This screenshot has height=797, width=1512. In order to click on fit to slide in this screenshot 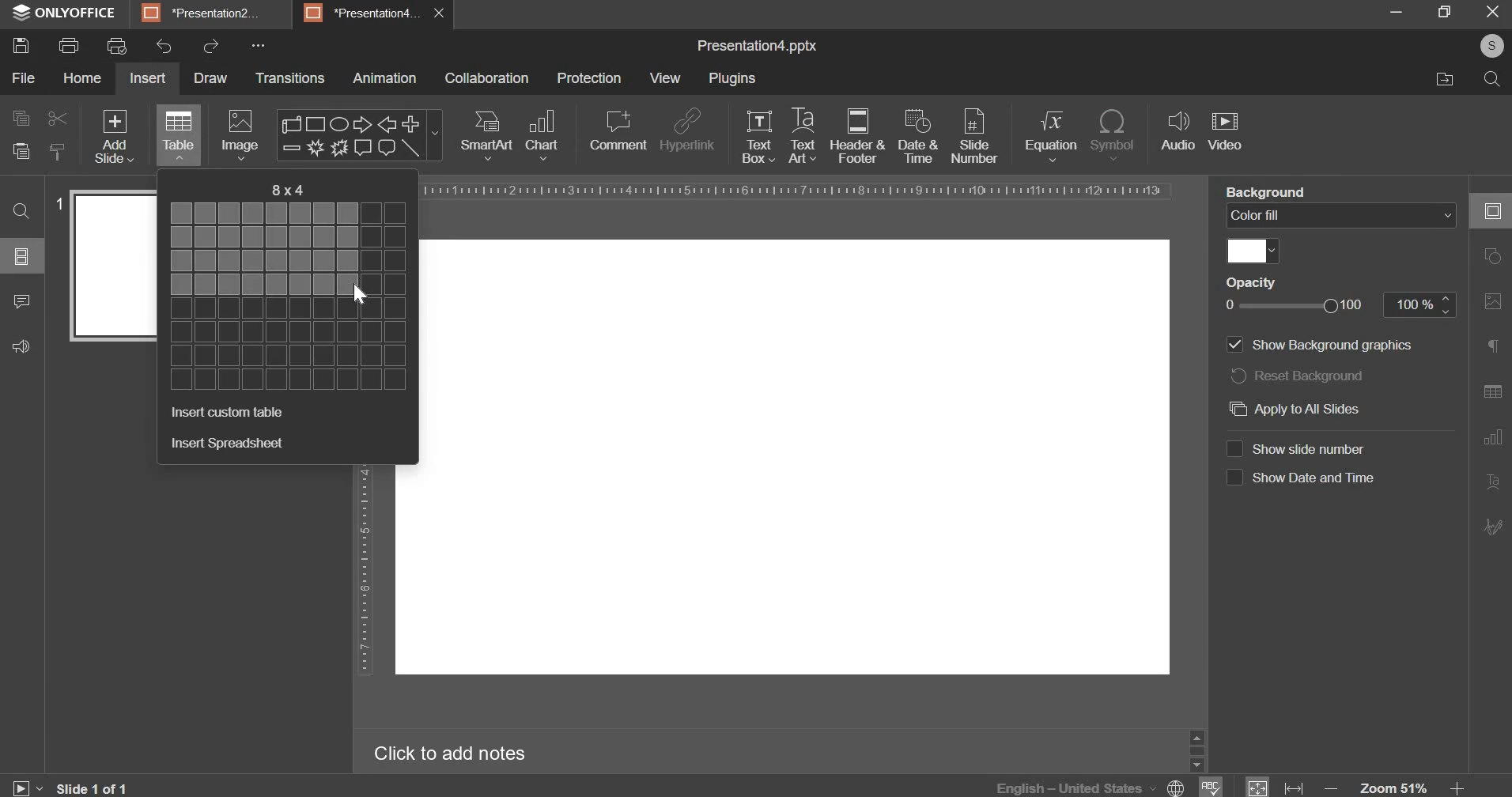, I will do `click(1258, 788)`.